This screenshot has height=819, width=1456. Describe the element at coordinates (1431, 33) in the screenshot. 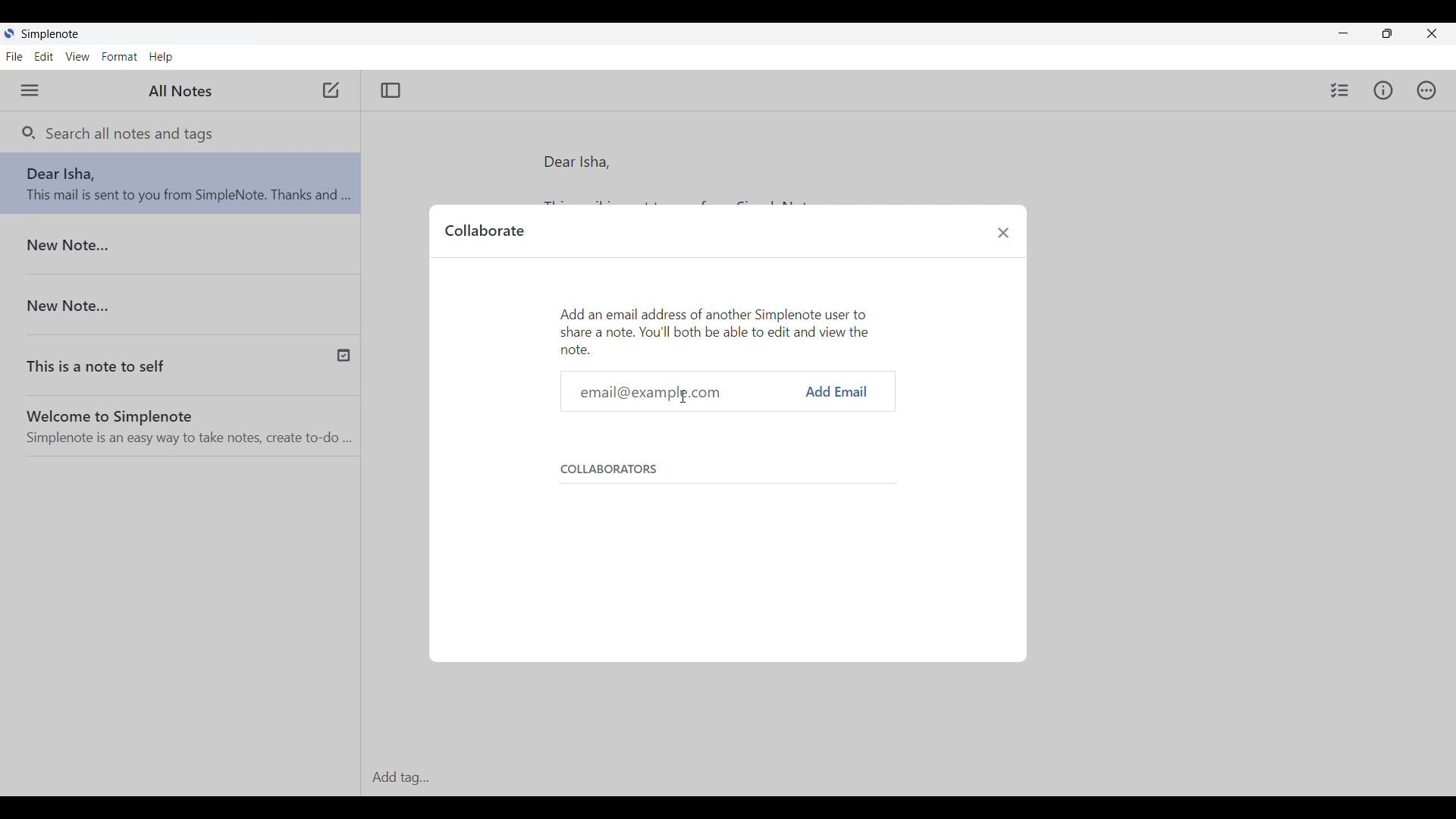

I see `Close ` at that location.